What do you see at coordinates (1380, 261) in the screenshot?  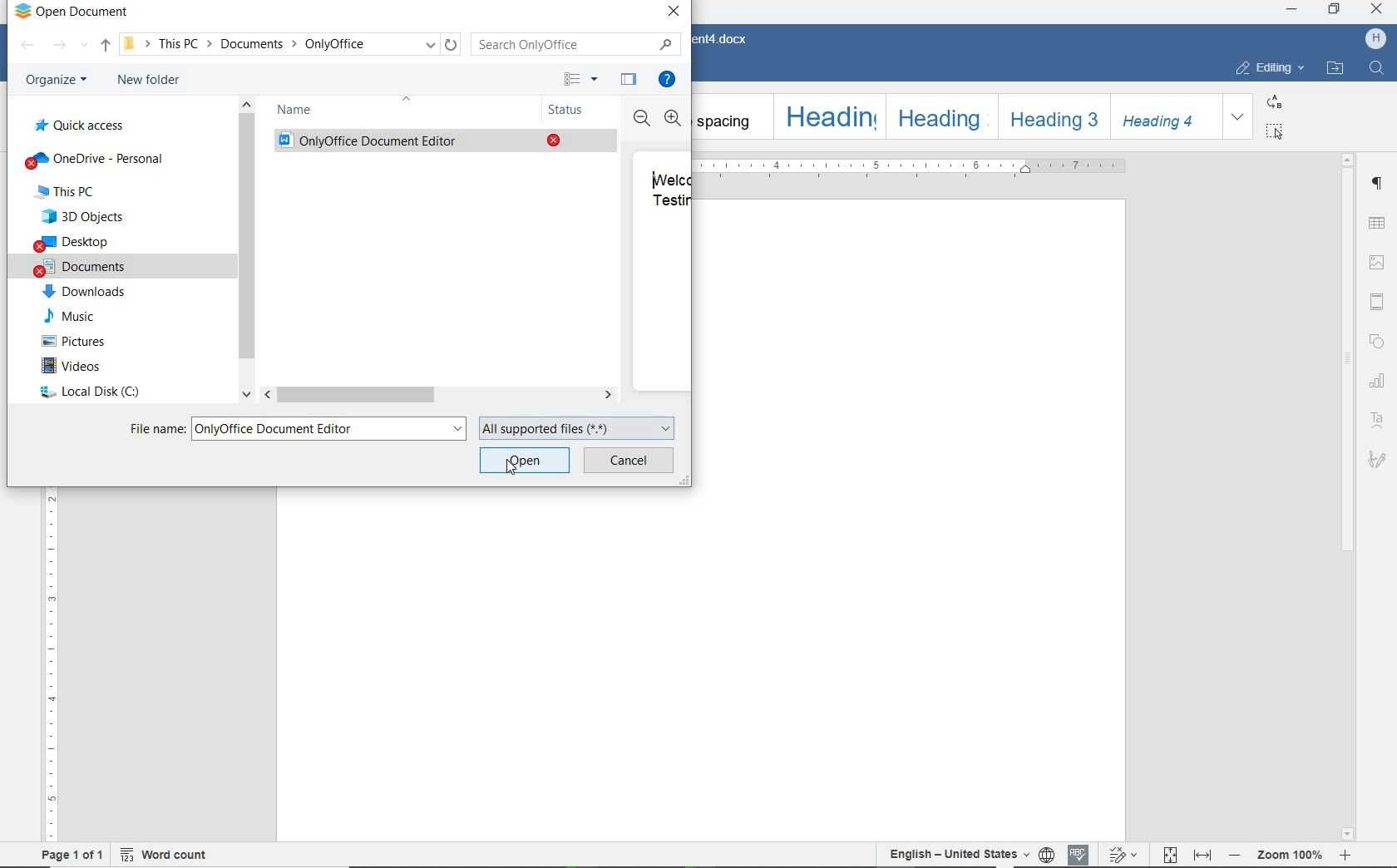 I see `Image` at bounding box center [1380, 261].